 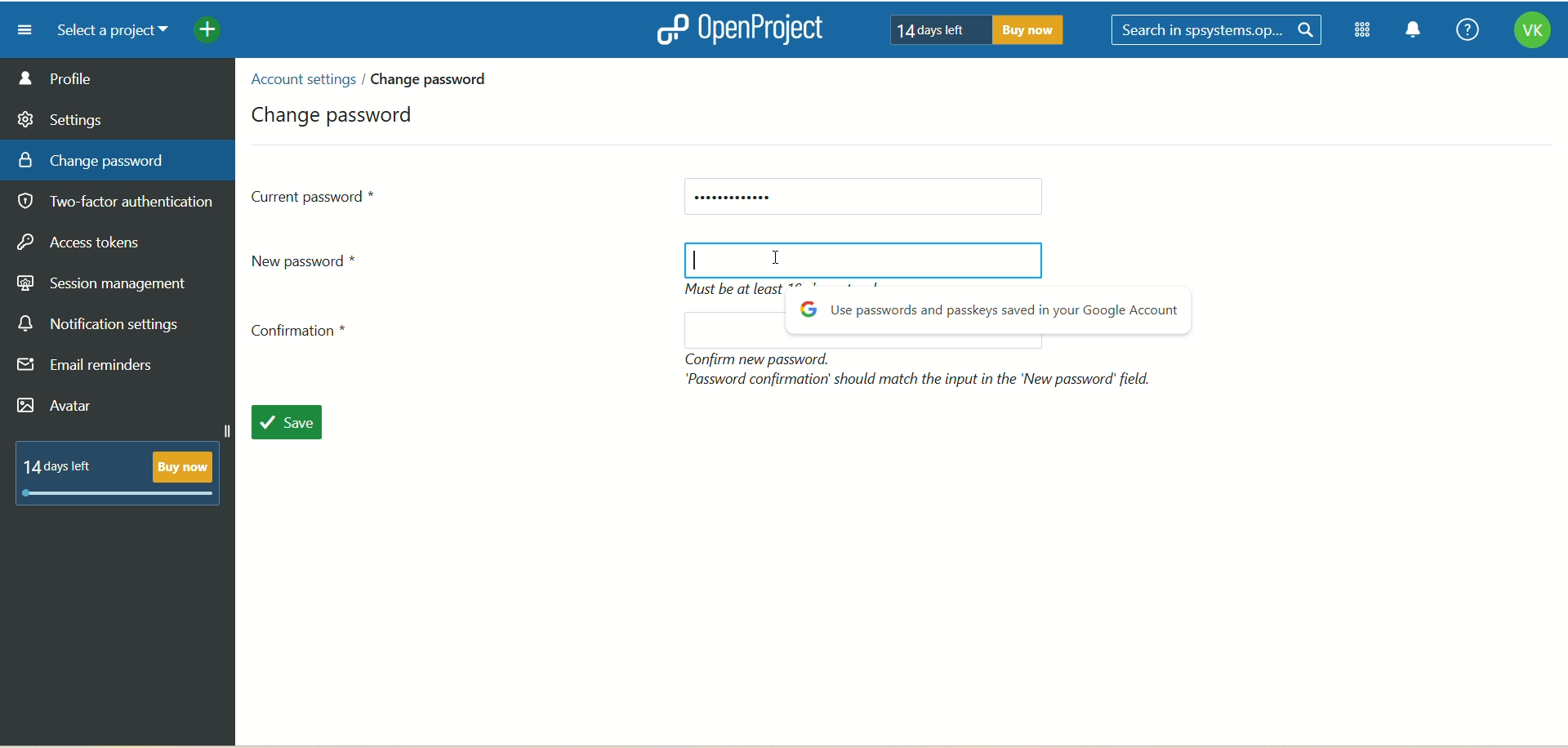 What do you see at coordinates (86, 243) in the screenshot?
I see `access takers` at bounding box center [86, 243].